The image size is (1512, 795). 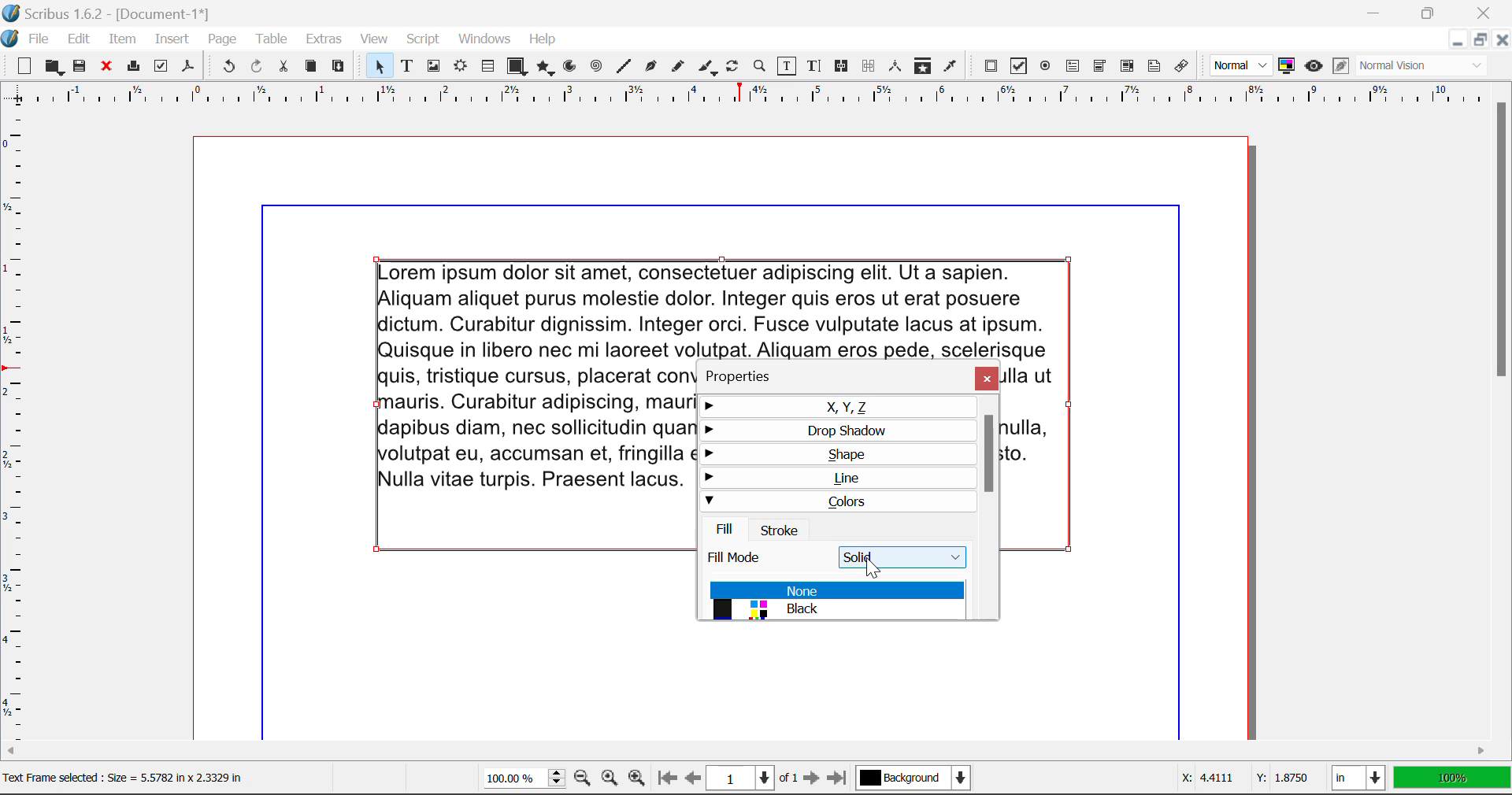 I want to click on text, so click(x=721, y=311).